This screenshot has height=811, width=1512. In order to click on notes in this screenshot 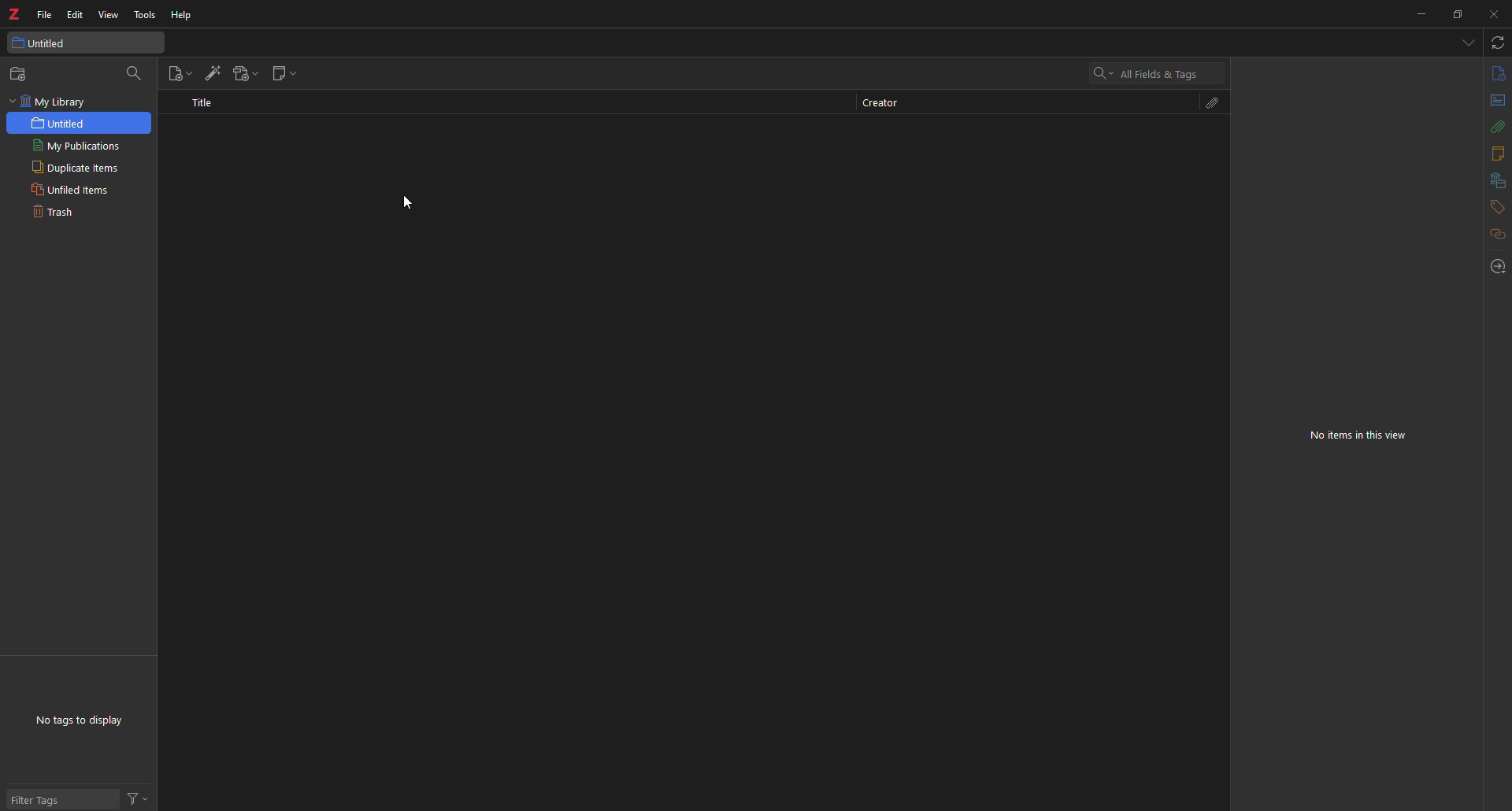, I will do `click(1498, 152)`.